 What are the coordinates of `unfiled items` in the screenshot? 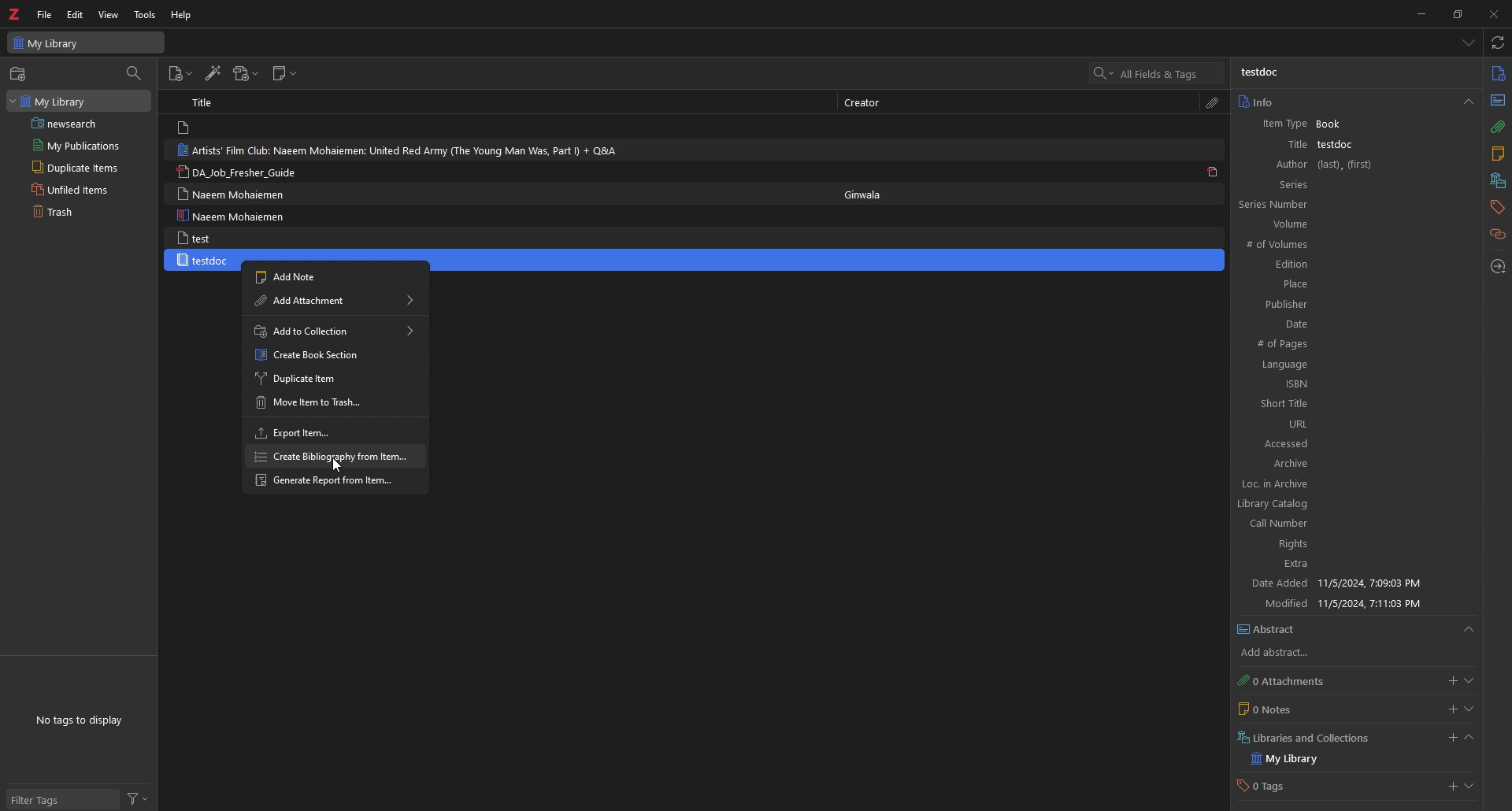 It's located at (74, 189).